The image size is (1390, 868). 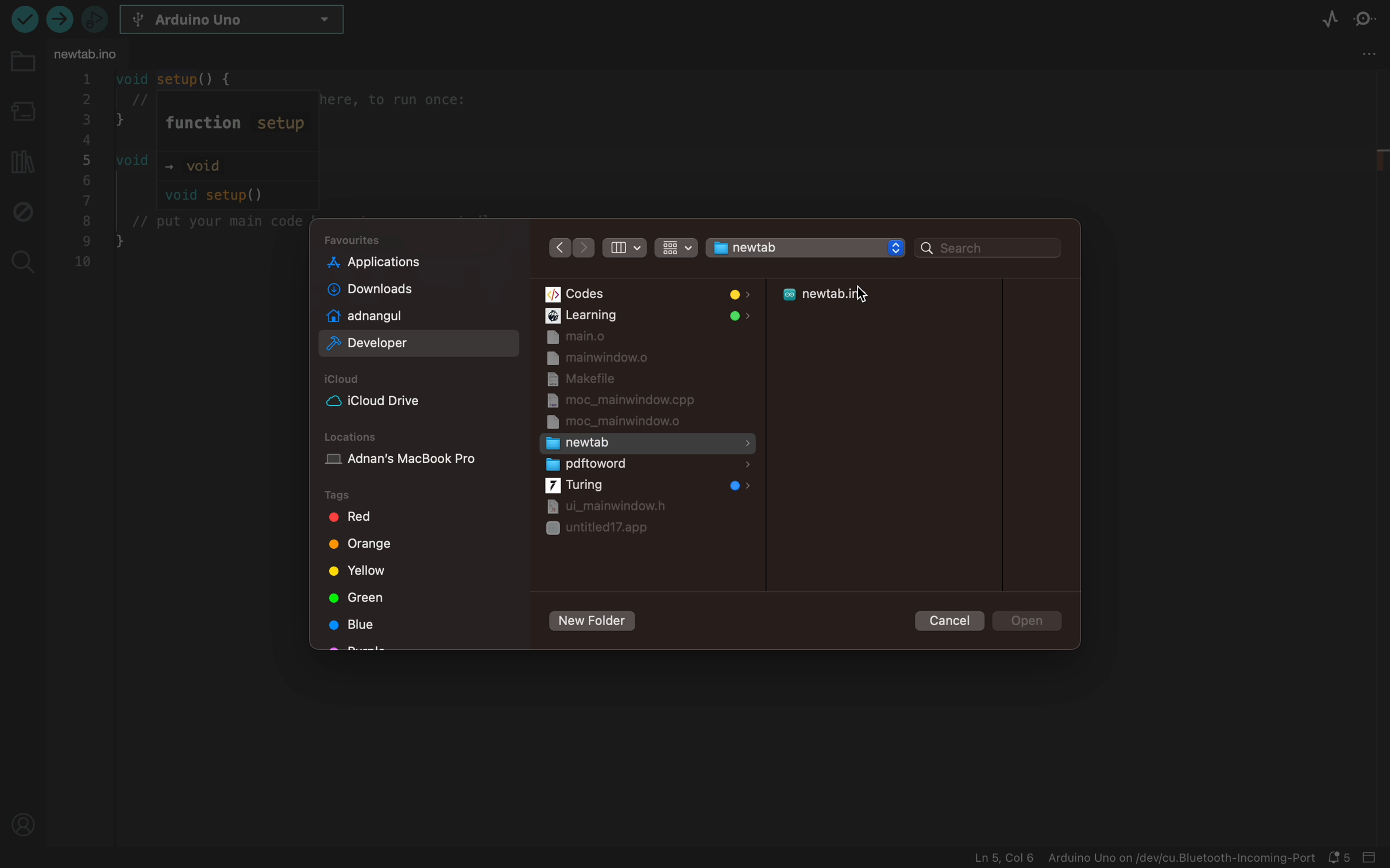 I want to click on main window, so click(x=642, y=358).